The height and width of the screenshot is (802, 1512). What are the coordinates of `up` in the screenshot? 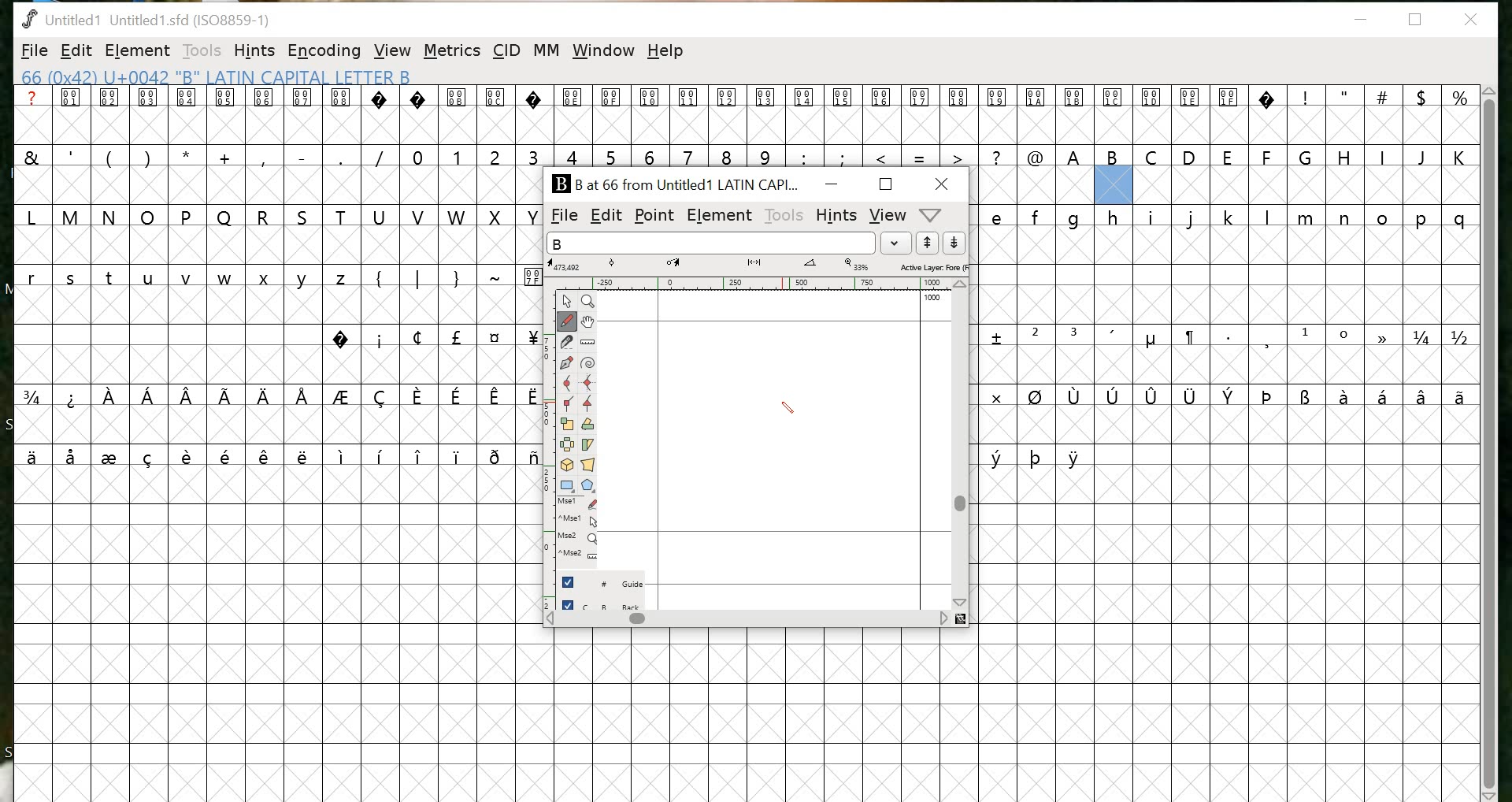 It's located at (928, 243).